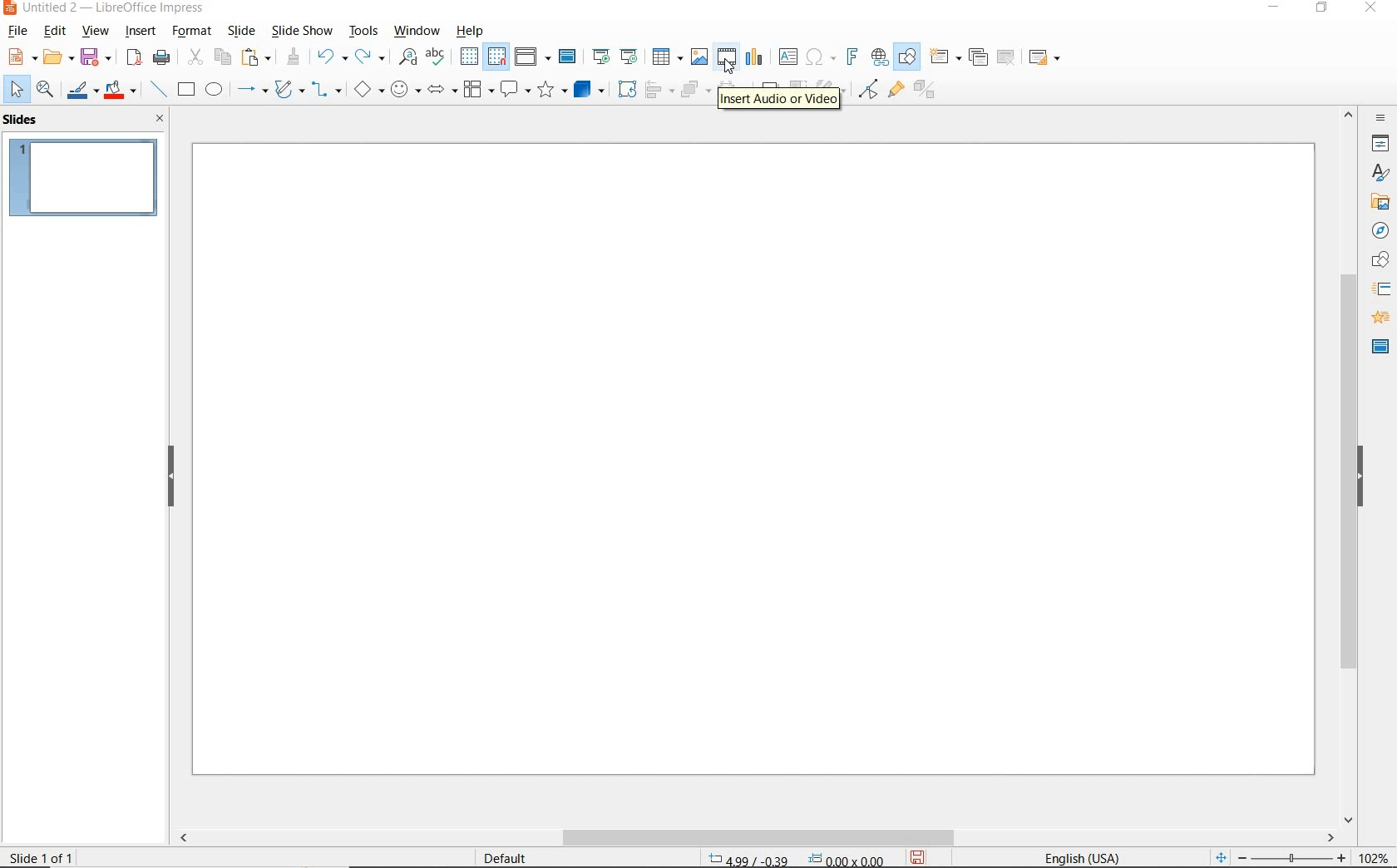 The height and width of the screenshot is (868, 1397). What do you see at coordinates (1381, 262) in the screenshot?
I see `SHAPE` at bounding box center [1381, 262].